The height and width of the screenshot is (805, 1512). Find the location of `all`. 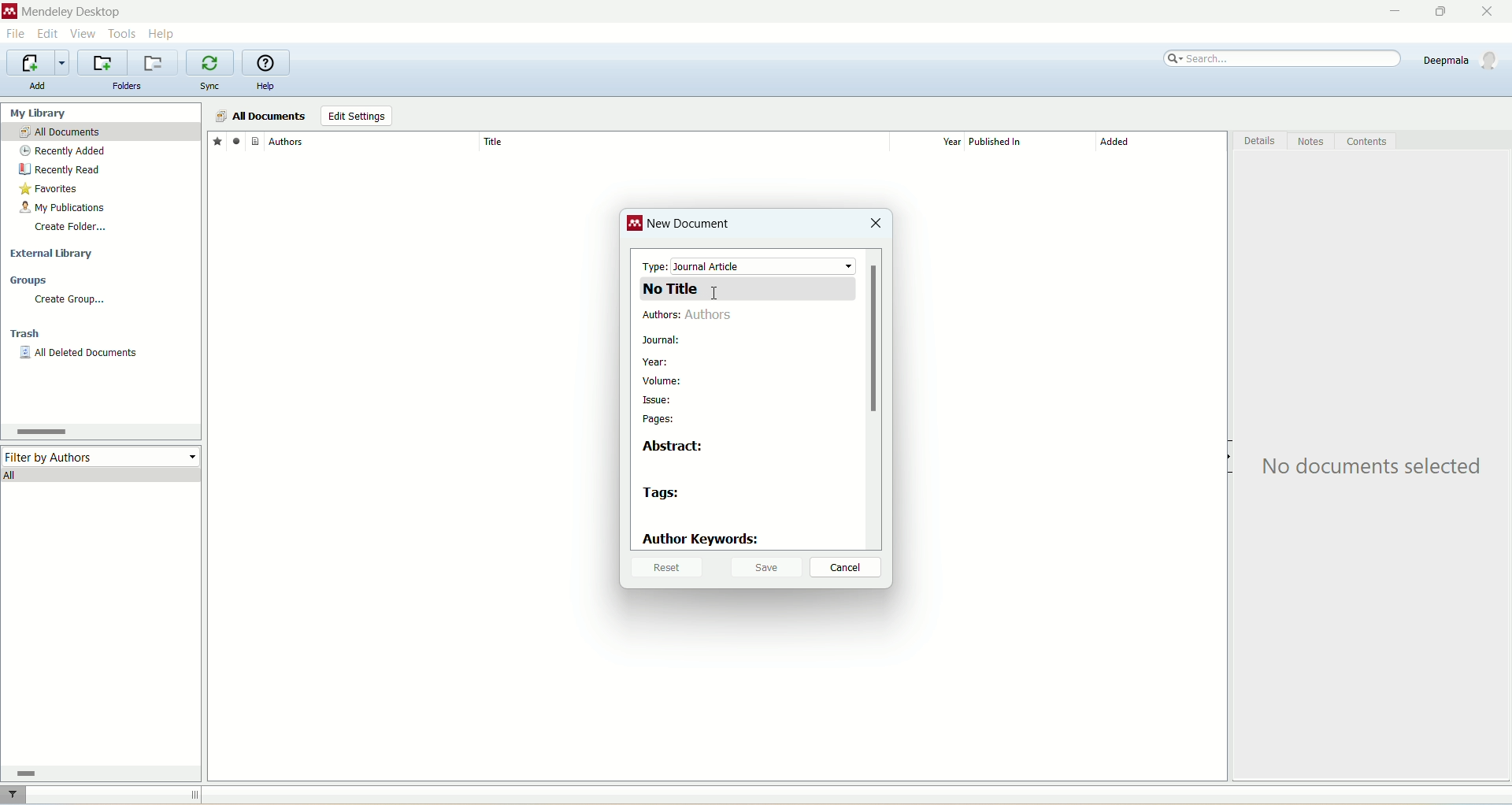

all is located at coordinates (102, 474).